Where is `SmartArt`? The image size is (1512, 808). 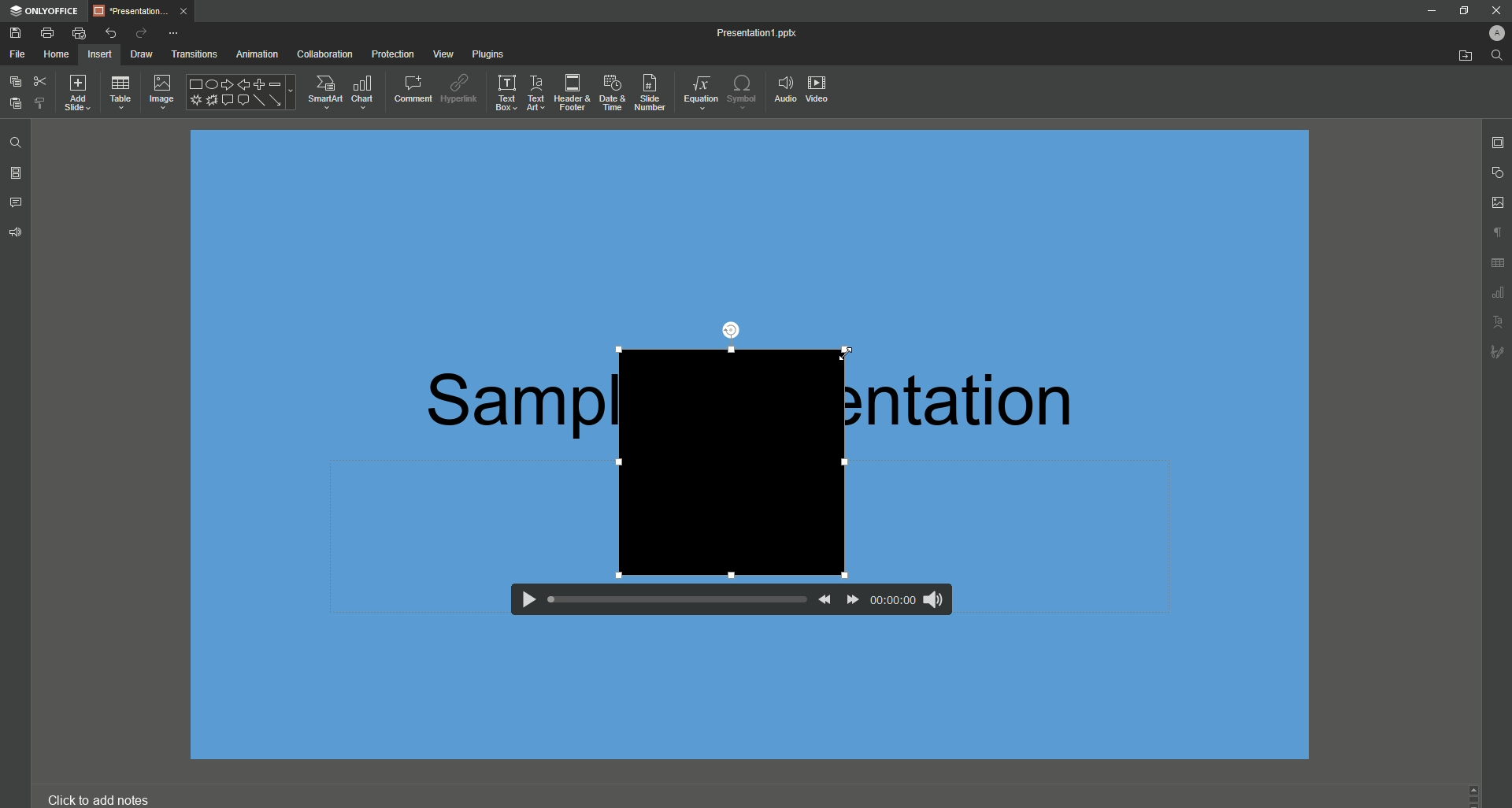 SmartArt is located at coordinates (324, 91).